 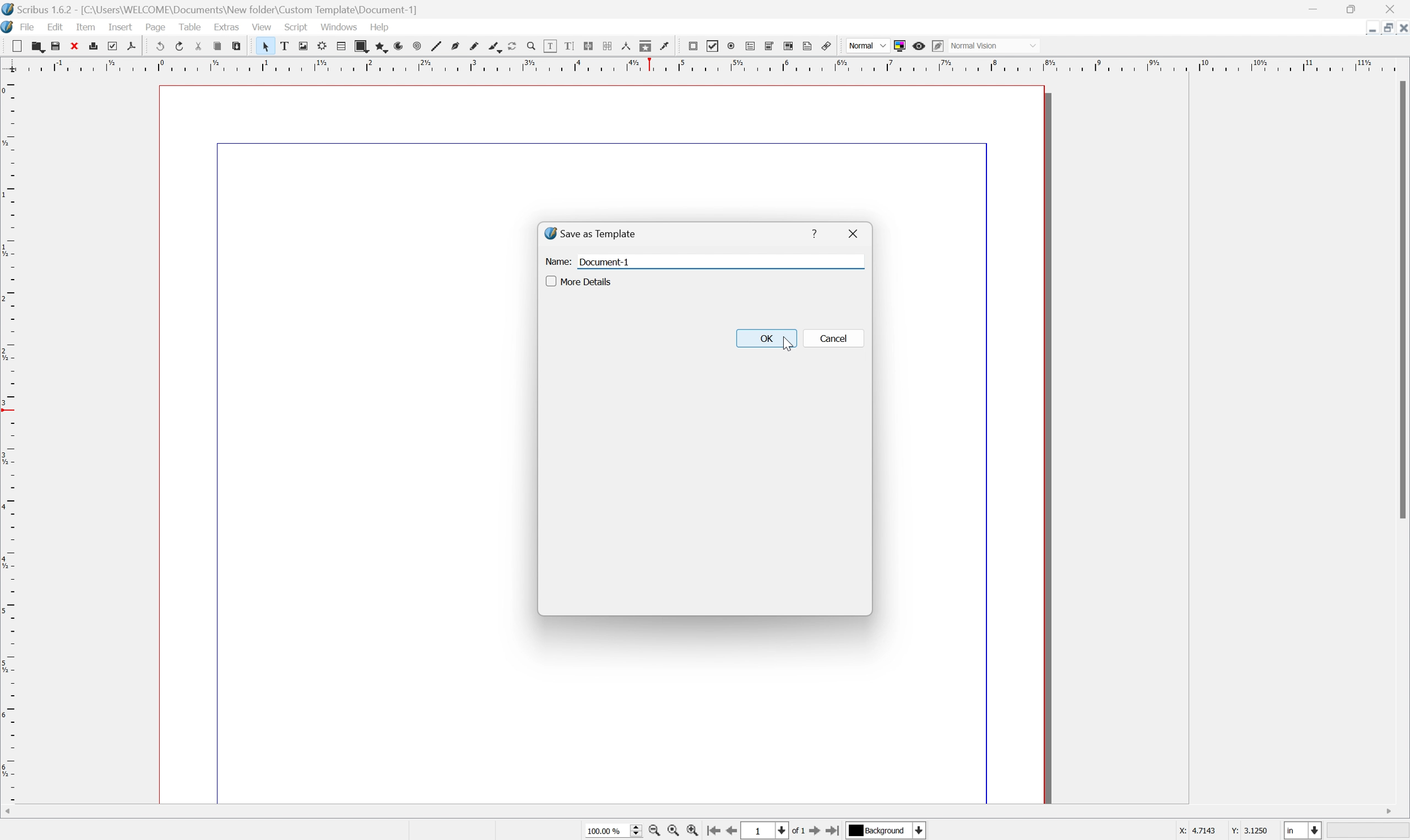 I want to click on save as pdf, so click(x=131, y=47).